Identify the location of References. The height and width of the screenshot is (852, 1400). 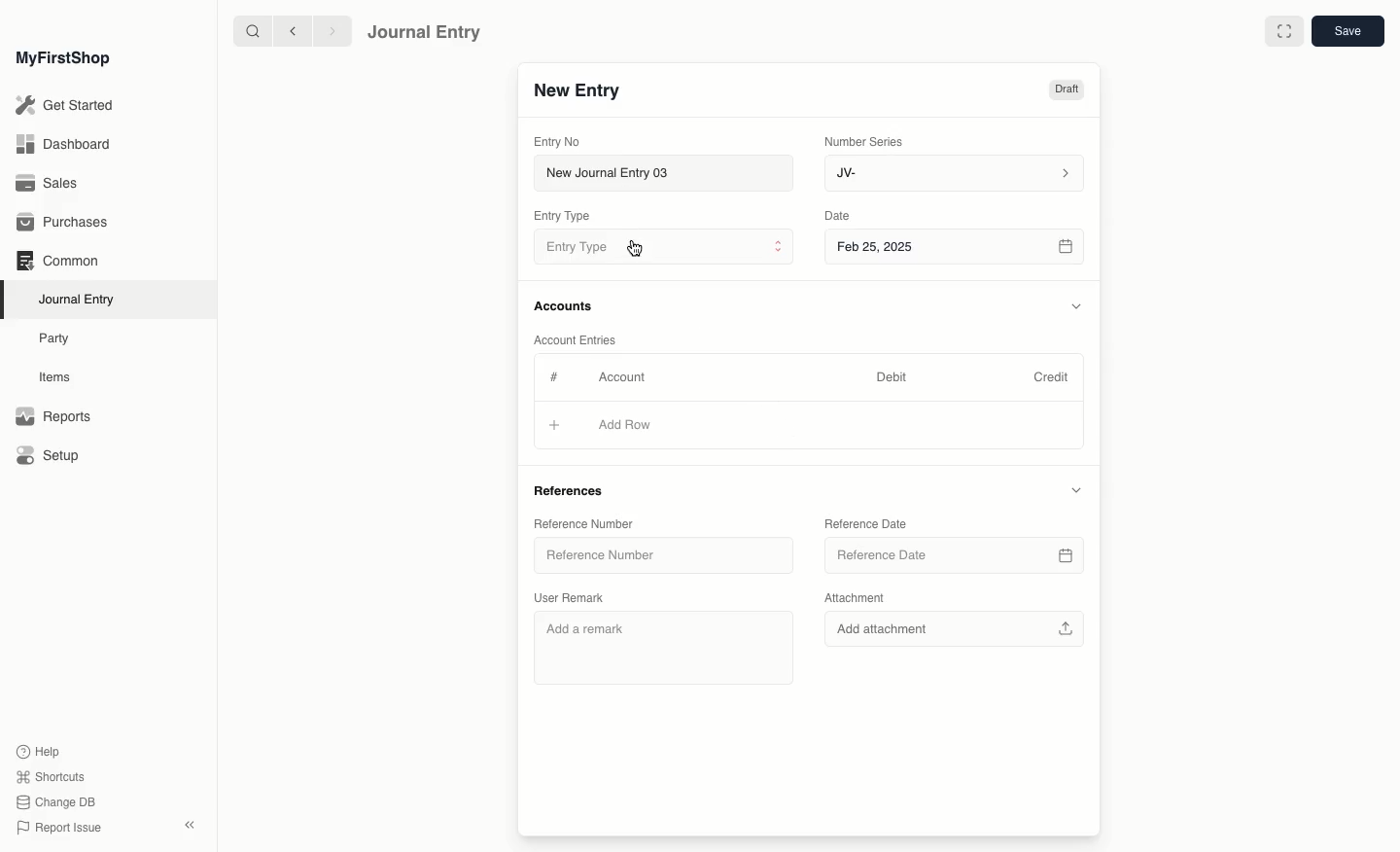
(572, 489).